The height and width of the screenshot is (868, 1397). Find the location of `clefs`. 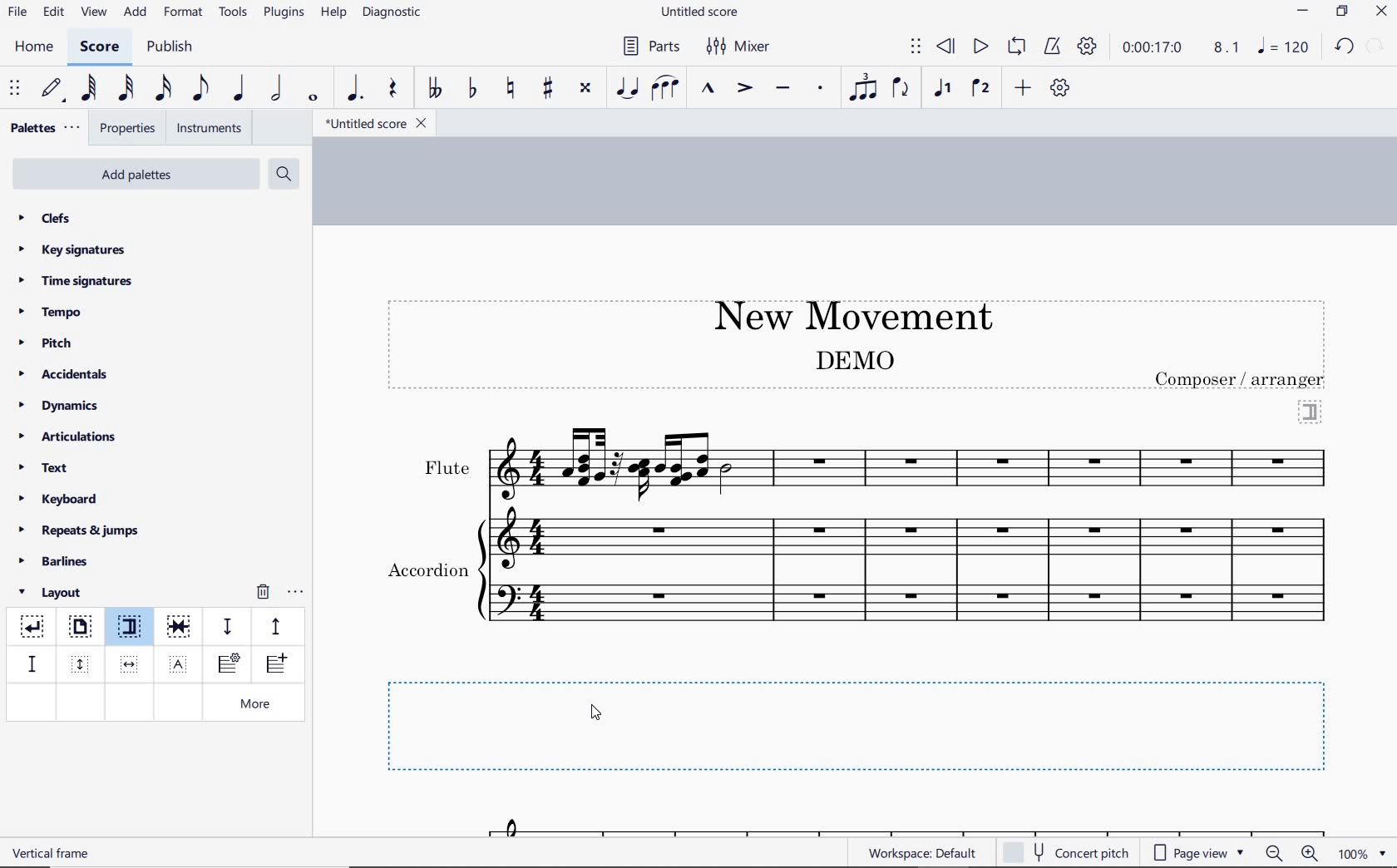

clefs is located at coordinates (46, 218).